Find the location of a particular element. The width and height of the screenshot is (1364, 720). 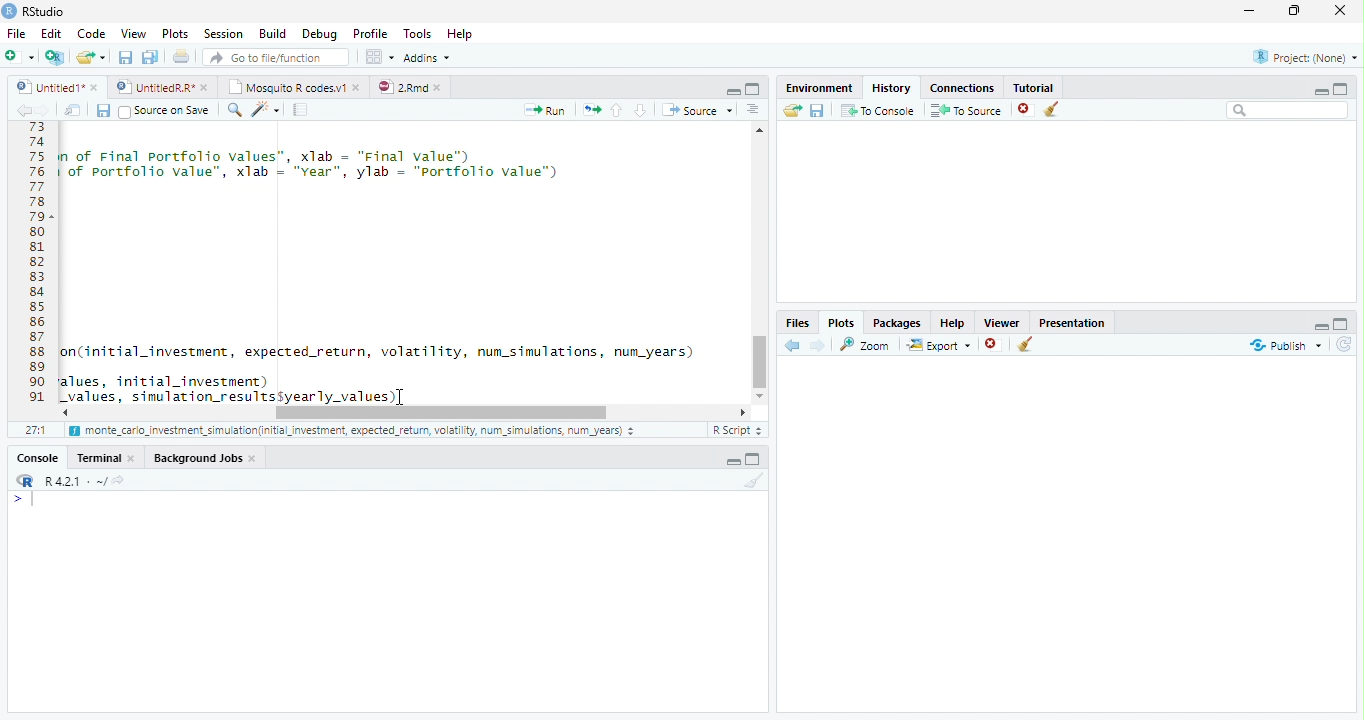

Edit is located at coordinates (50, 32).